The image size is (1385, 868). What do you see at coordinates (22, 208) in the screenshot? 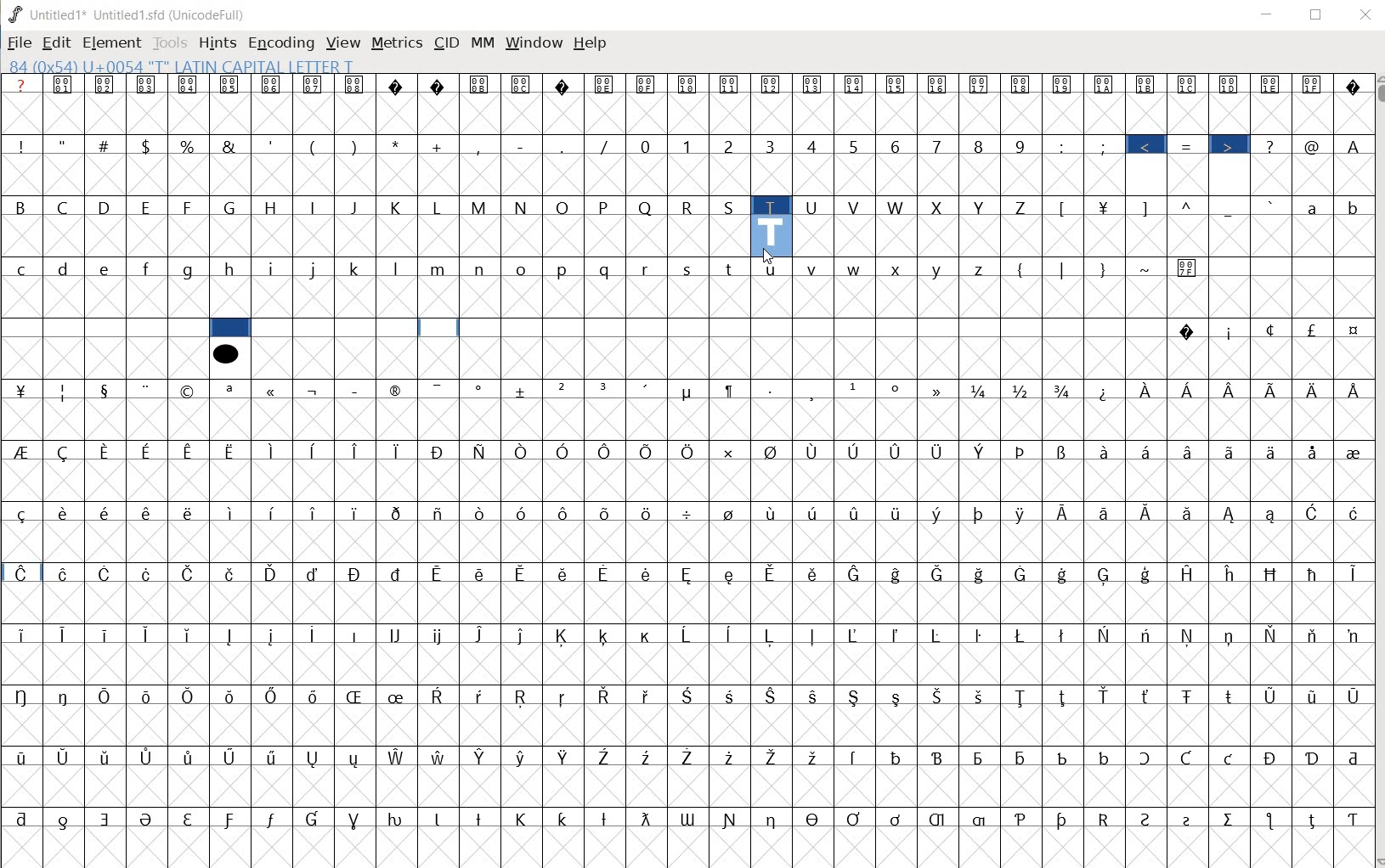
I see `B` at bounding box center [22, 208].